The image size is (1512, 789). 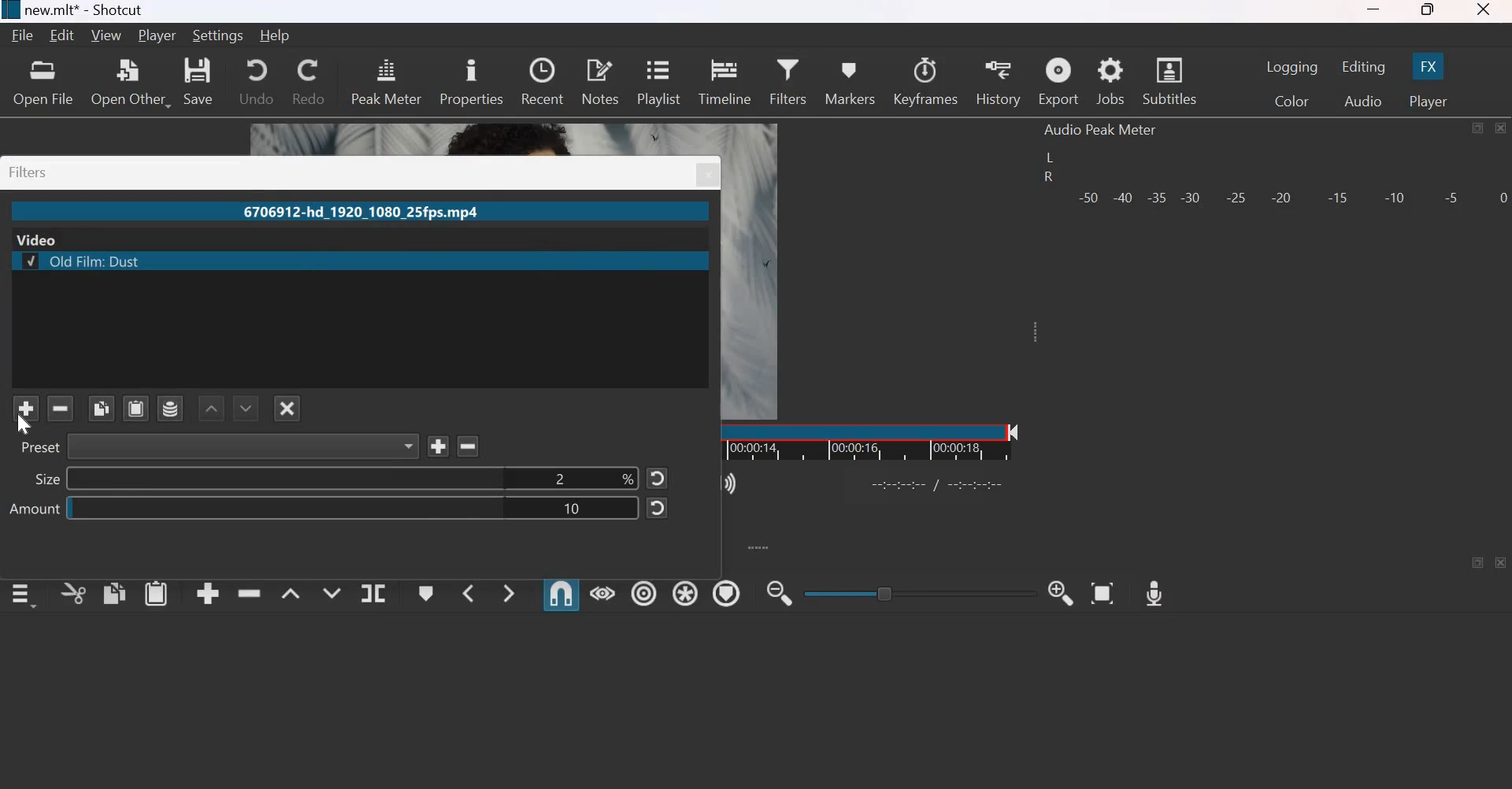 What do you see at coordinates (1502, 128) in the screenshot?
I see `Close` at bounding box center [1502, 128].